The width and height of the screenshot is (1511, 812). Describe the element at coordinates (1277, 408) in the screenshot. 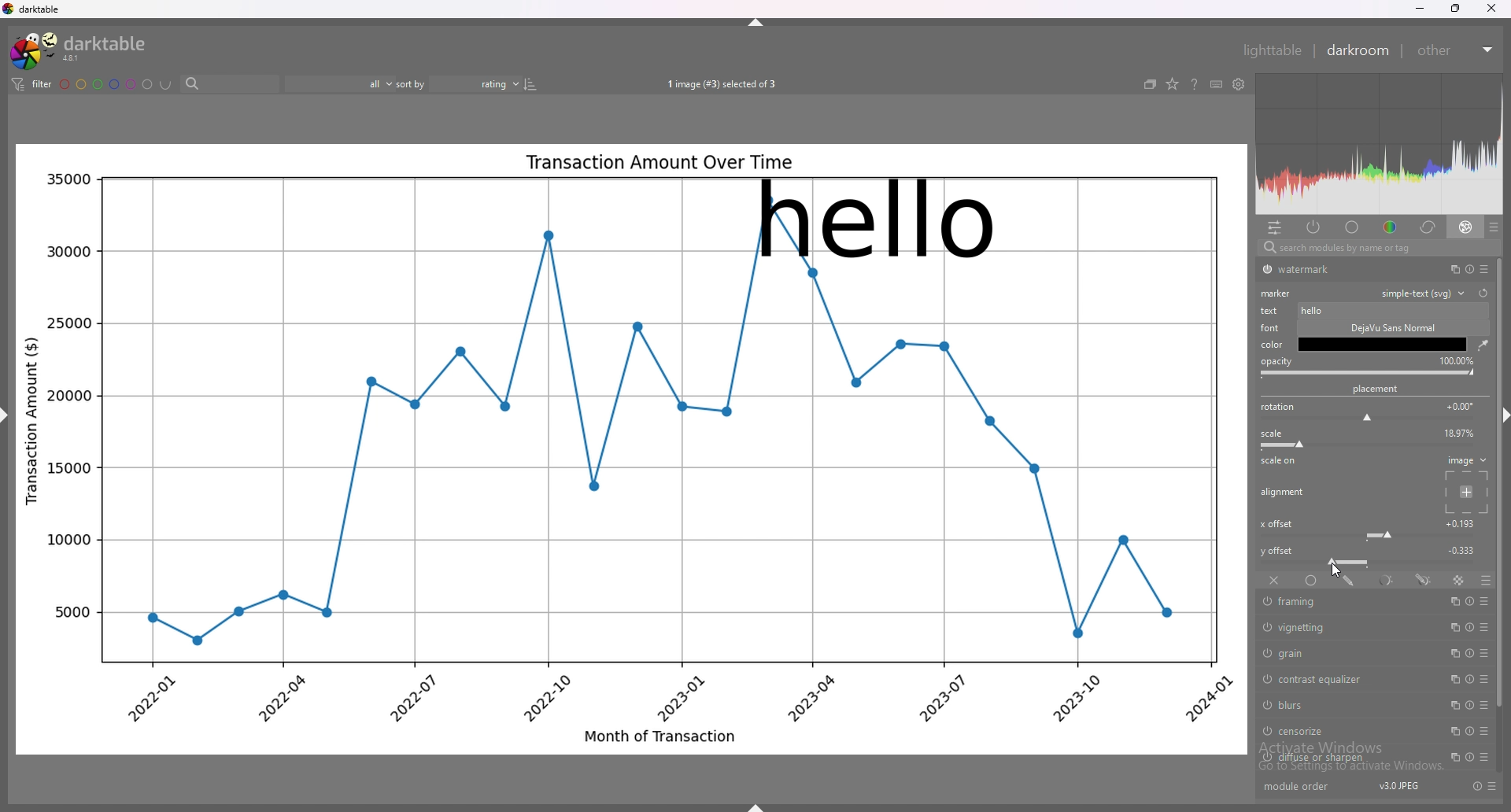

I see `roation` at that location.